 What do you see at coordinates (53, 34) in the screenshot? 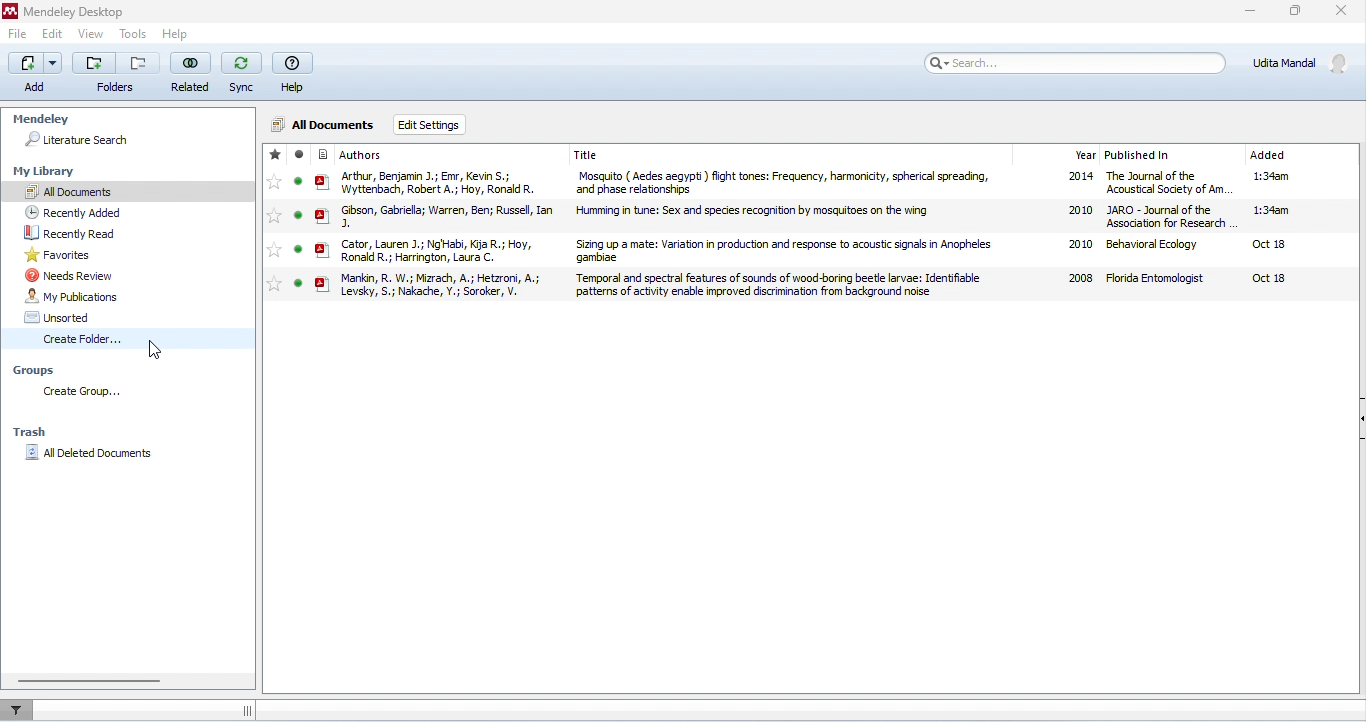
I see `edit` at bounding box center [53, 34].